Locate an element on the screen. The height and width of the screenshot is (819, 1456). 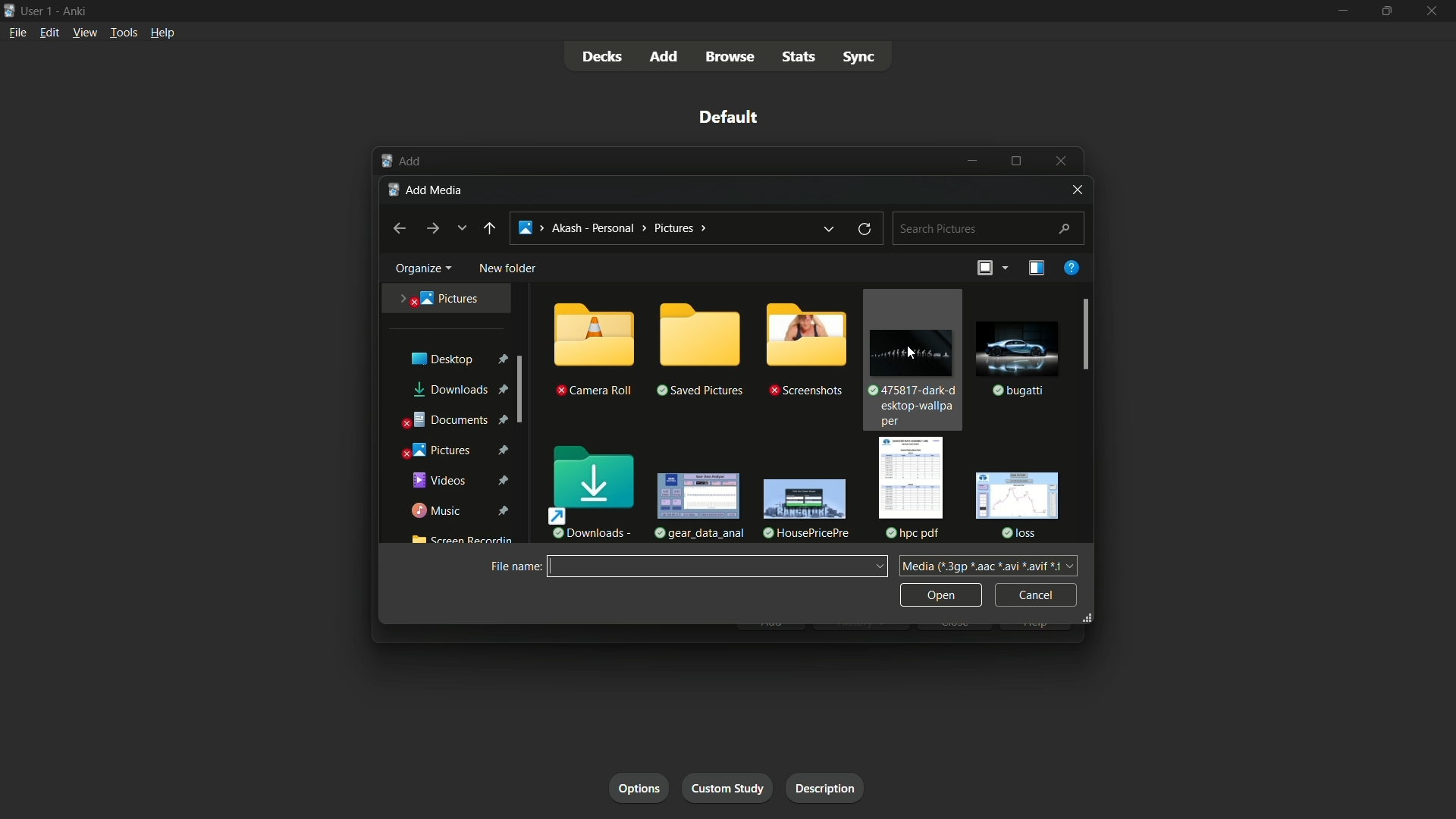
open is located at coordinates (941, 595).